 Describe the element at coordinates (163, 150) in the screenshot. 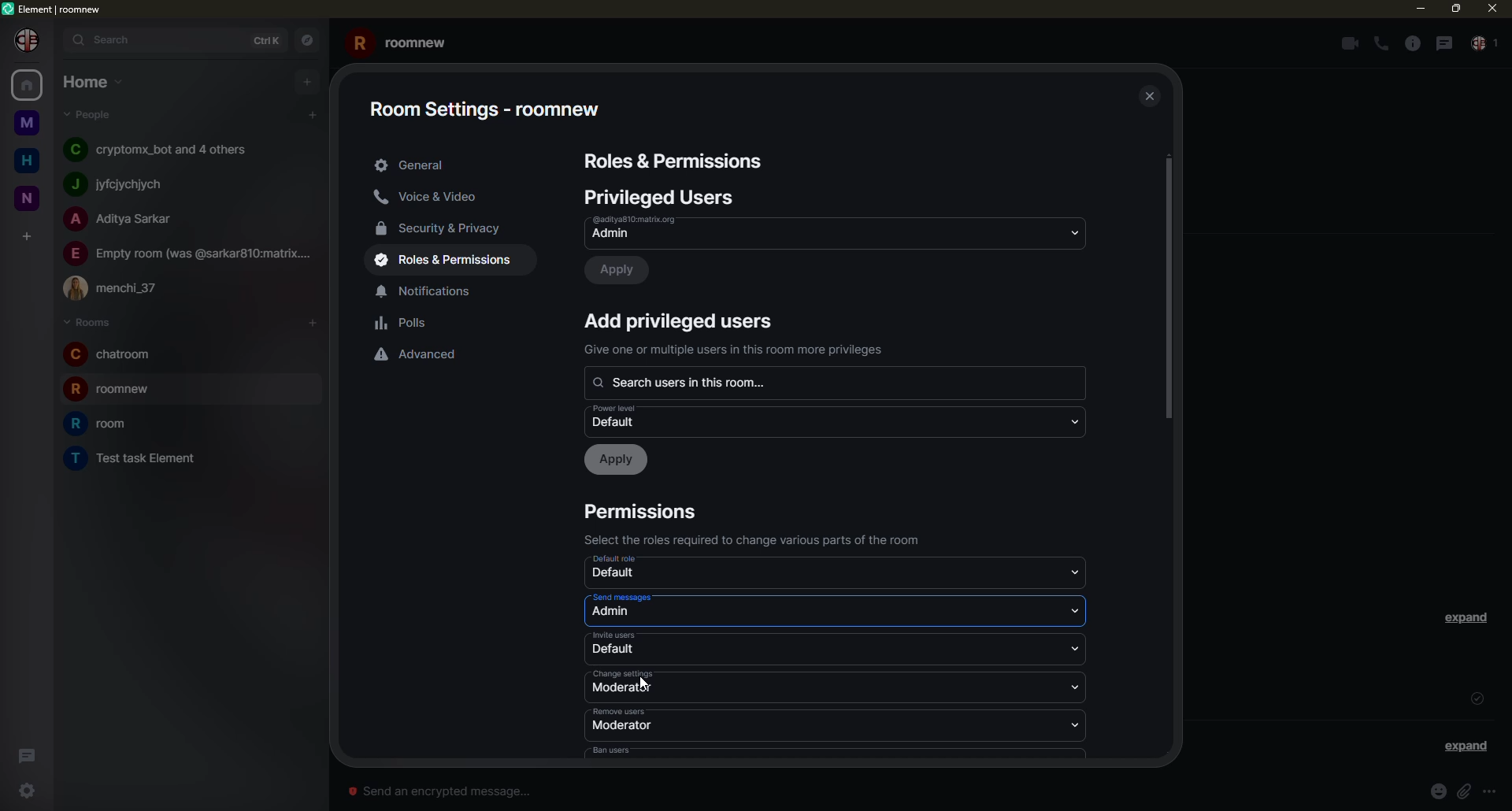

I see `people` at that location.